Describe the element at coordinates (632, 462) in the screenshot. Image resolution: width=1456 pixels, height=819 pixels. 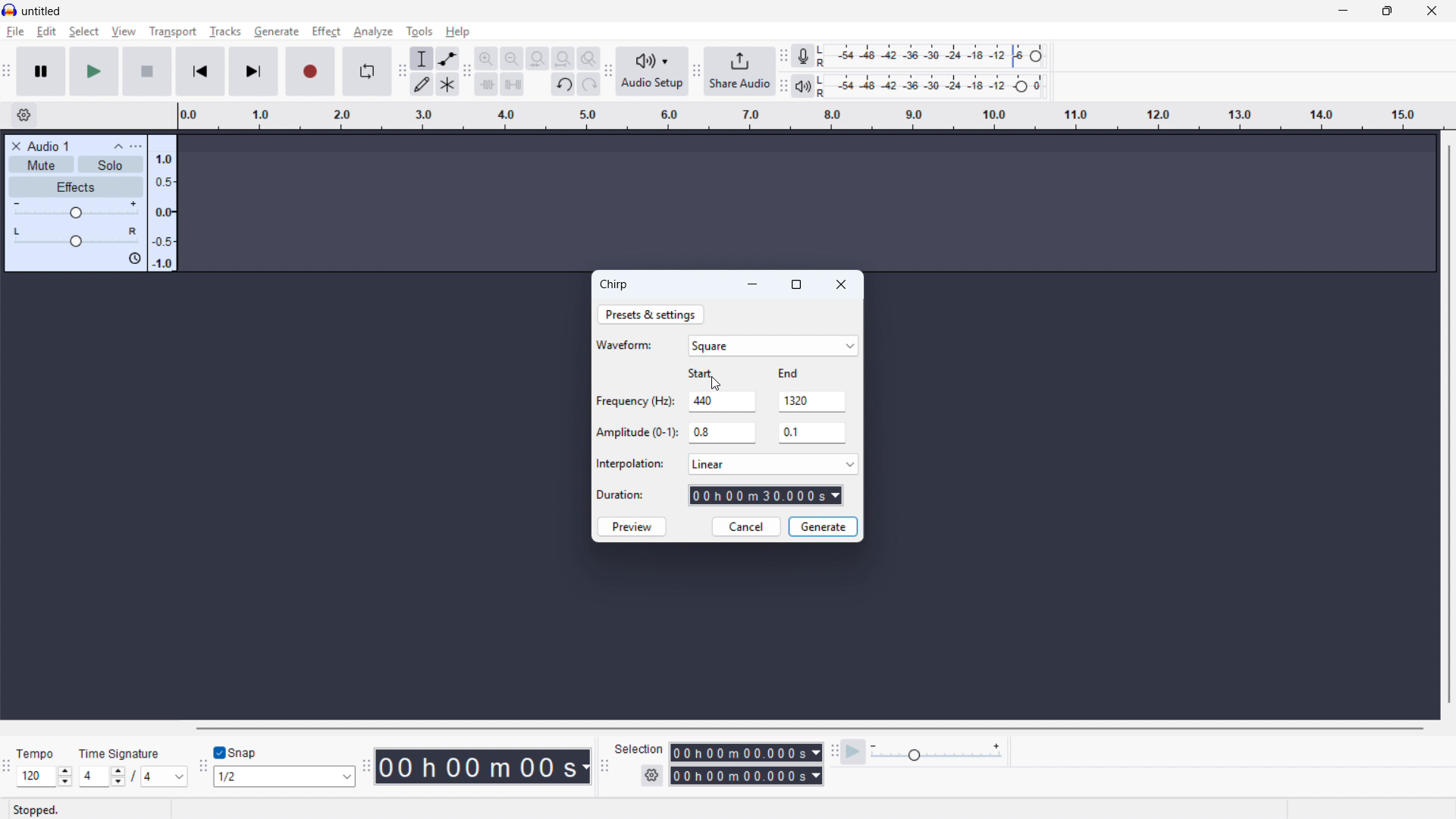
I see `Interpolation` at that location.